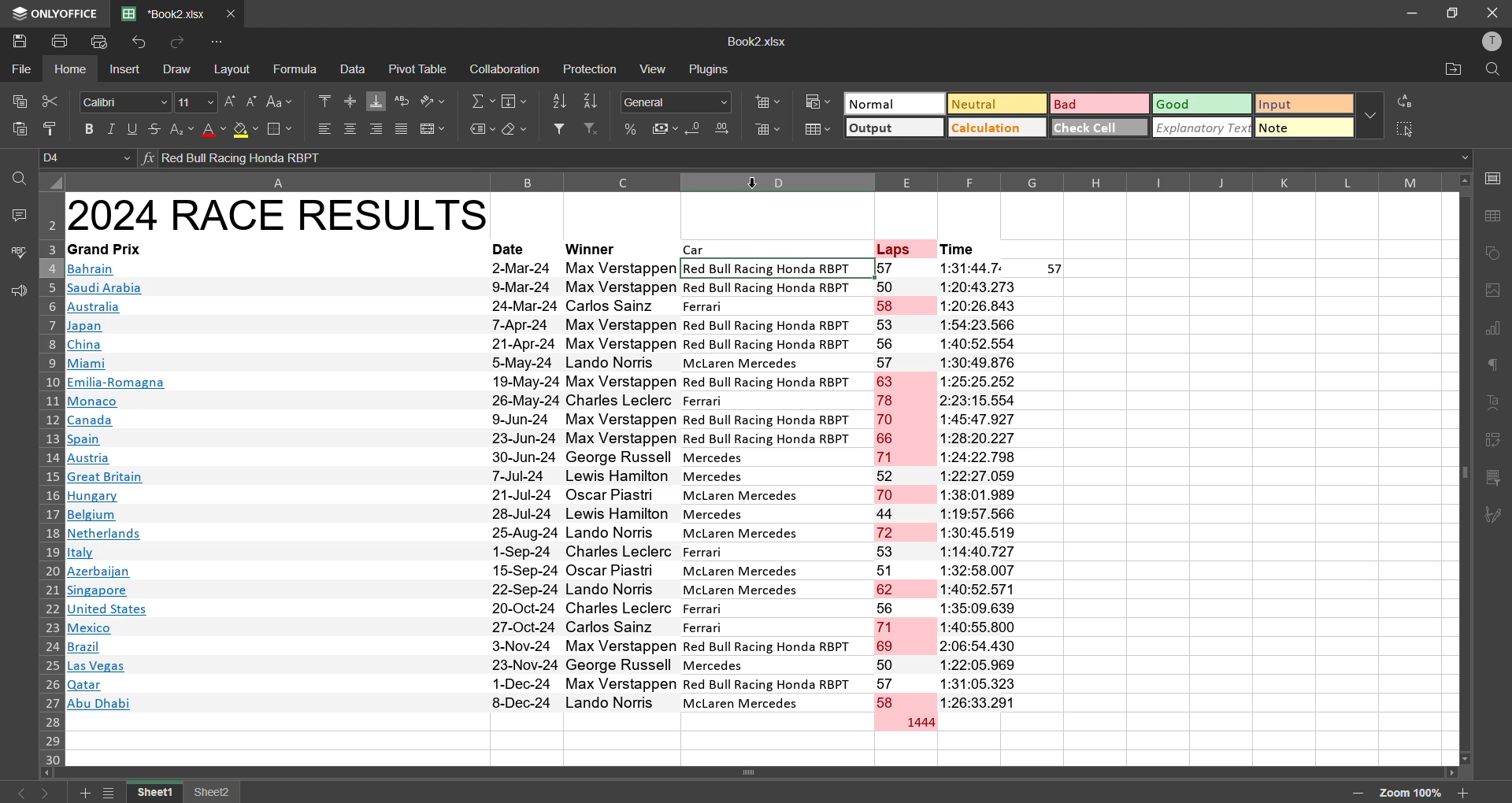 The width and height of the screenshot is (1512, 803). I want to click on pivot table, so click(419, 68).